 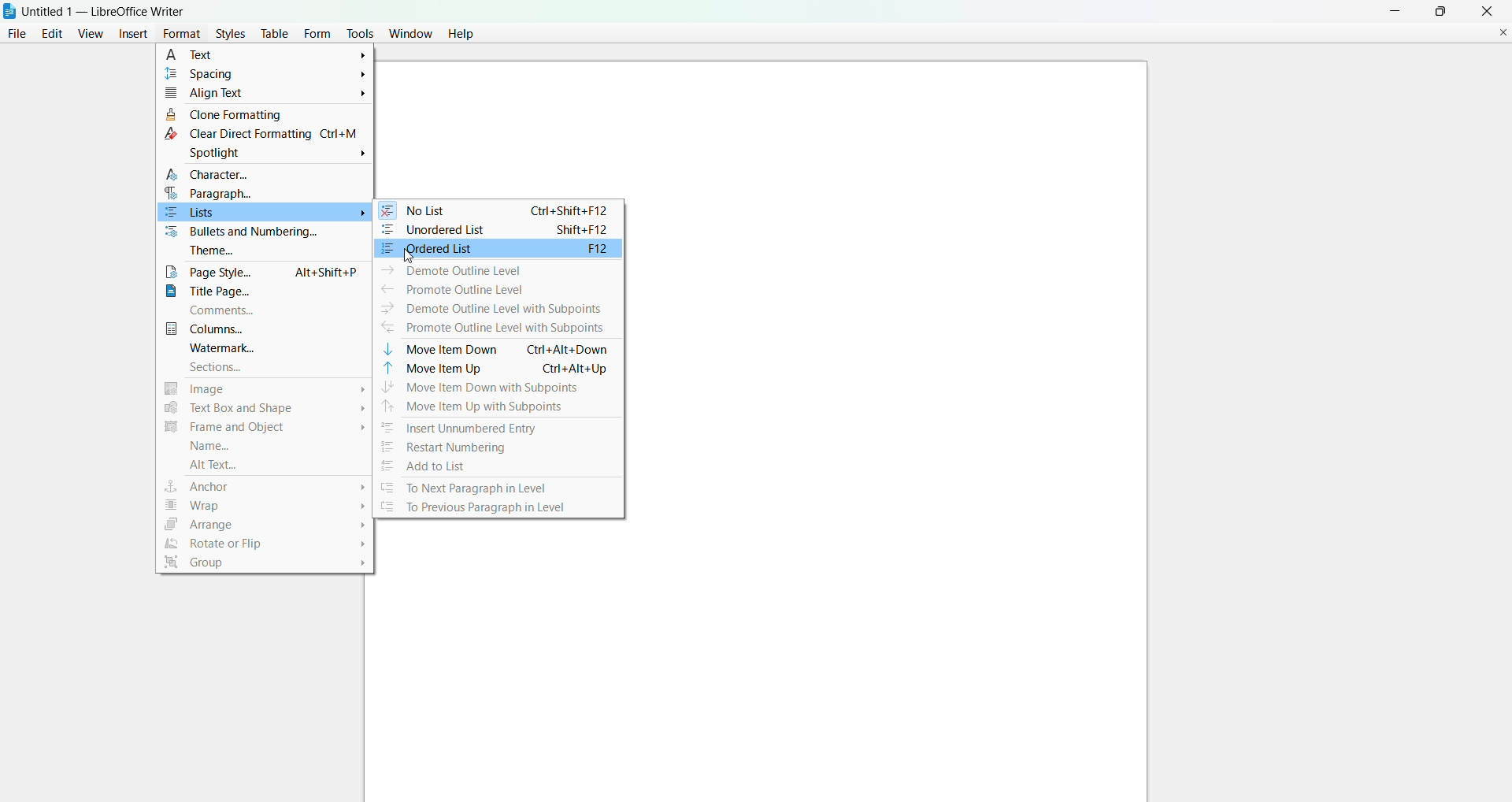 What do you see at coordinates (464, 428) in the screenshot?
I see `insert unumbered entry` at bounding box center [464, 428].